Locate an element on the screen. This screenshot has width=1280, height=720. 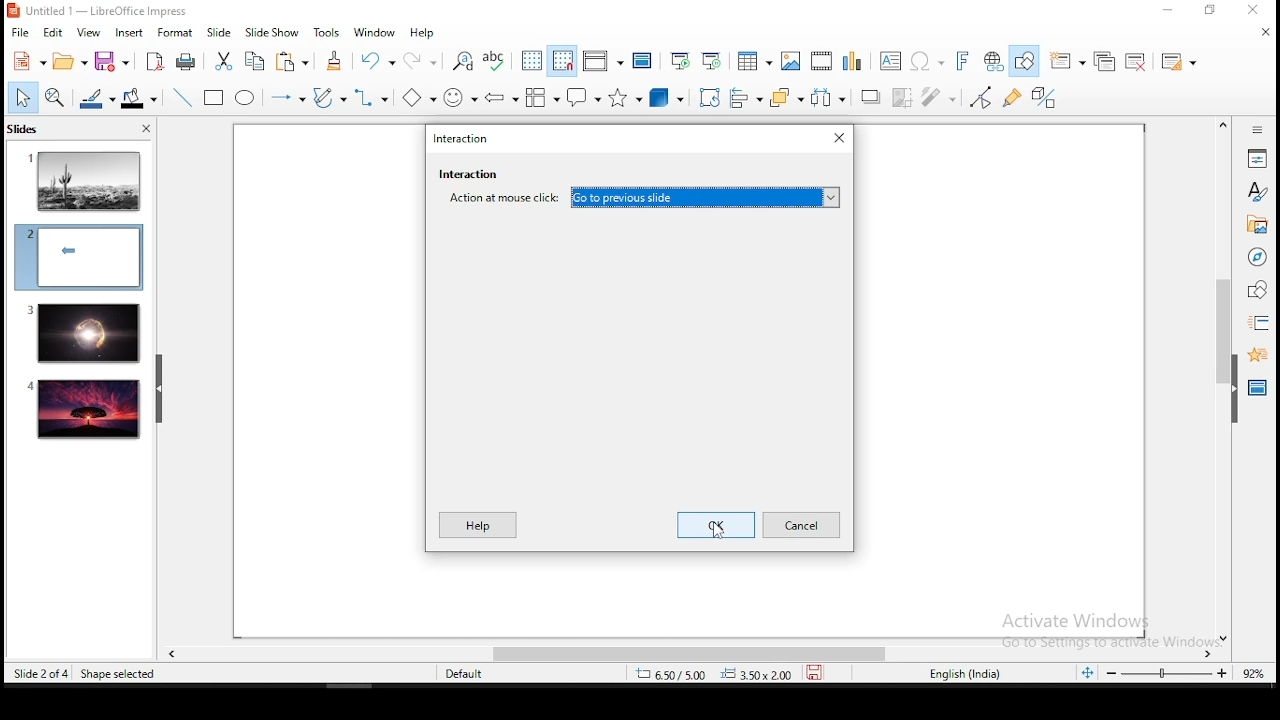
fit to screen is located at coordinates (1087, 674).